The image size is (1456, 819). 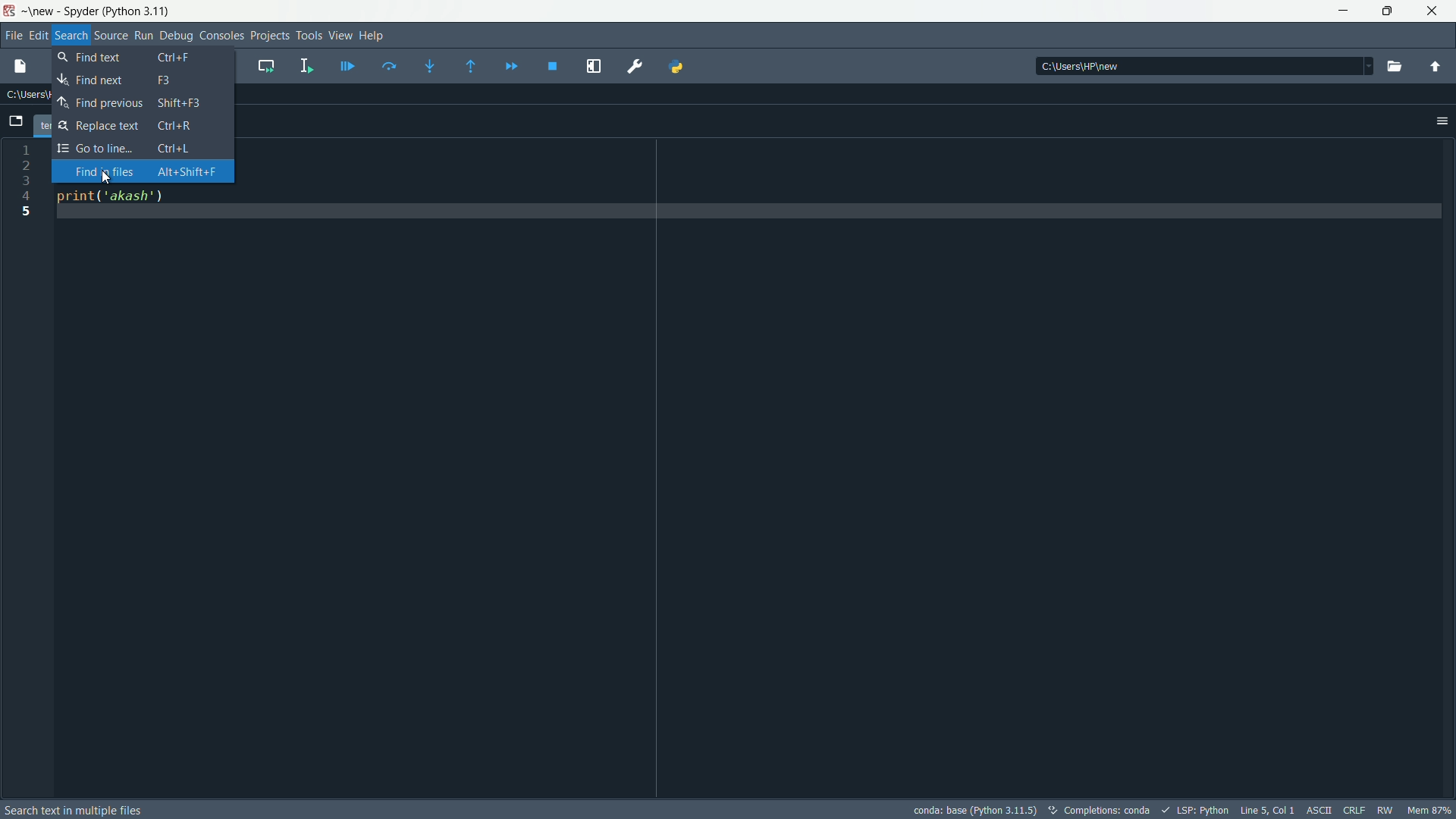 What do you see at coordinates (102, 811) in the screenshot?
I see `Search text in multiple files` at bounding box center [102, 811].